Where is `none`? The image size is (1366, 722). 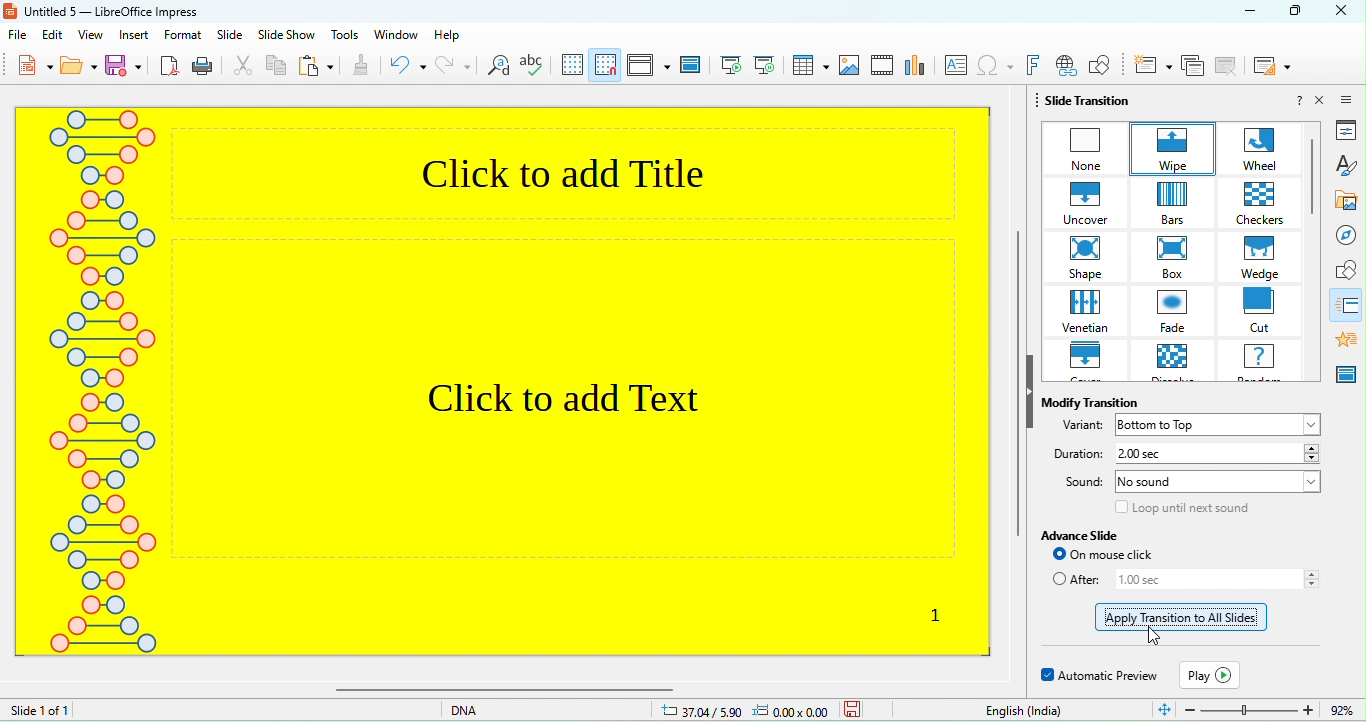 none is located at coordinates (1083, 146).